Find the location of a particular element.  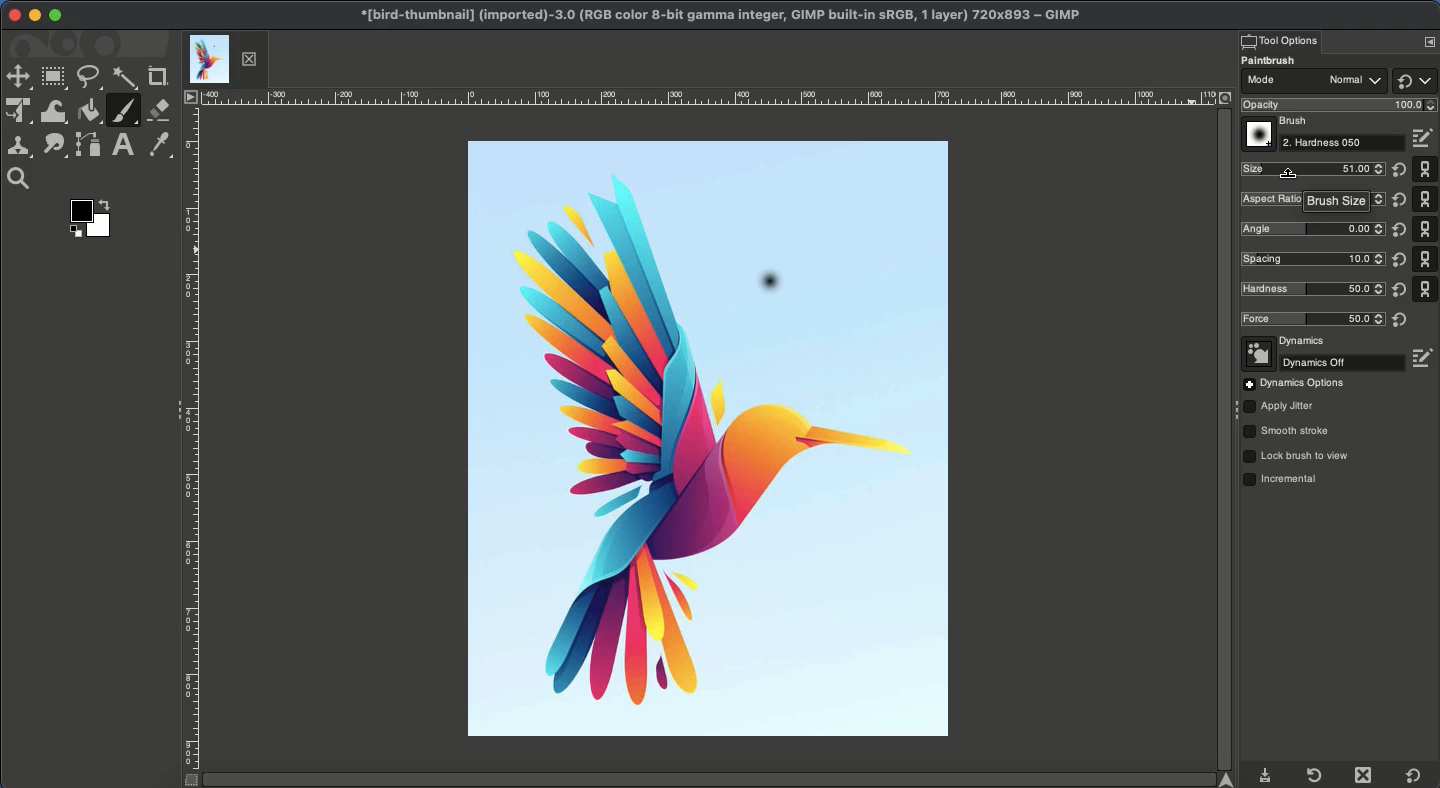

Move tool is located at coordinates (17, 78).